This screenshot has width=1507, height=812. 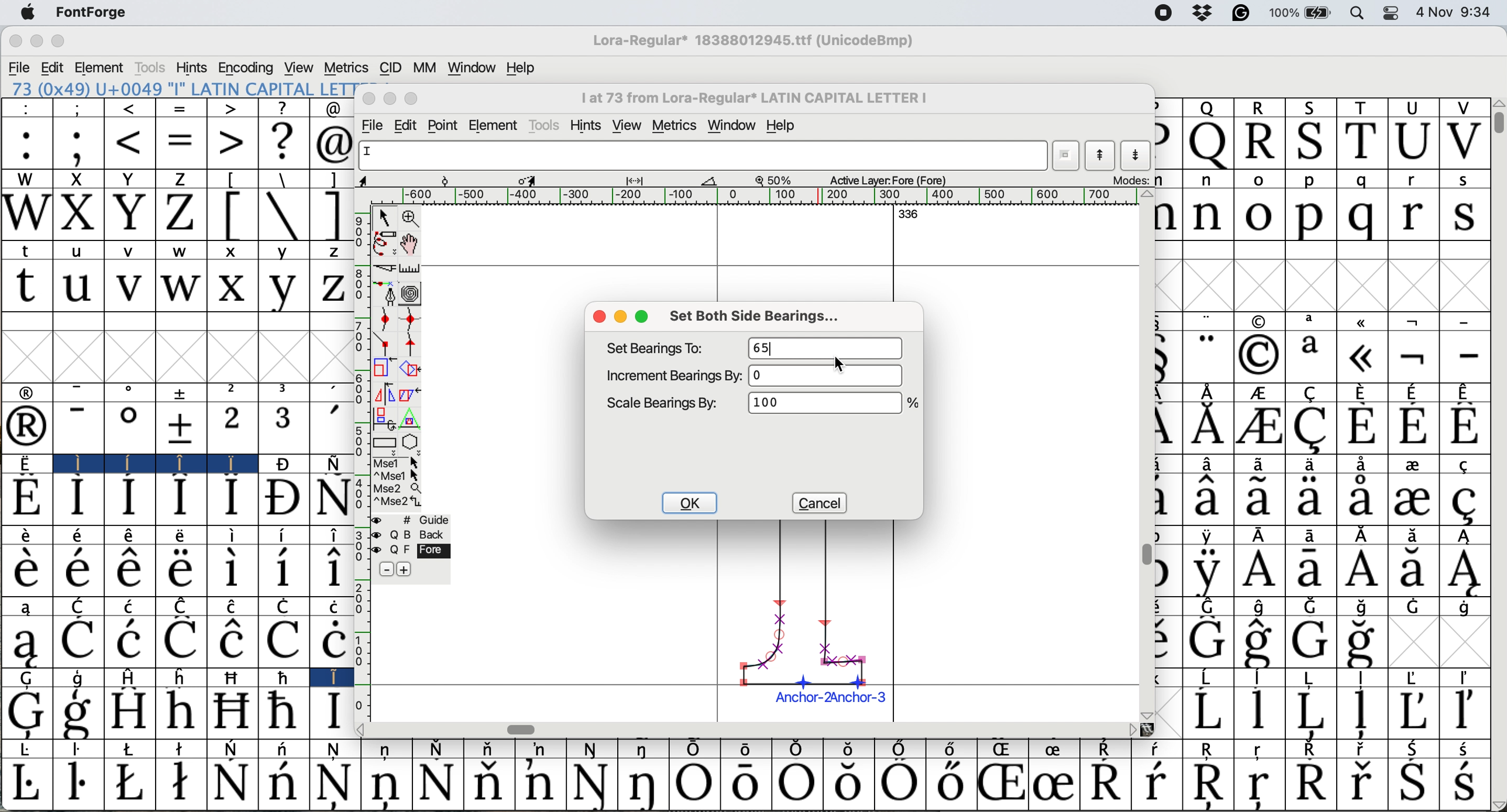 I want to click on Symbol, so click(x=1465, y=391).